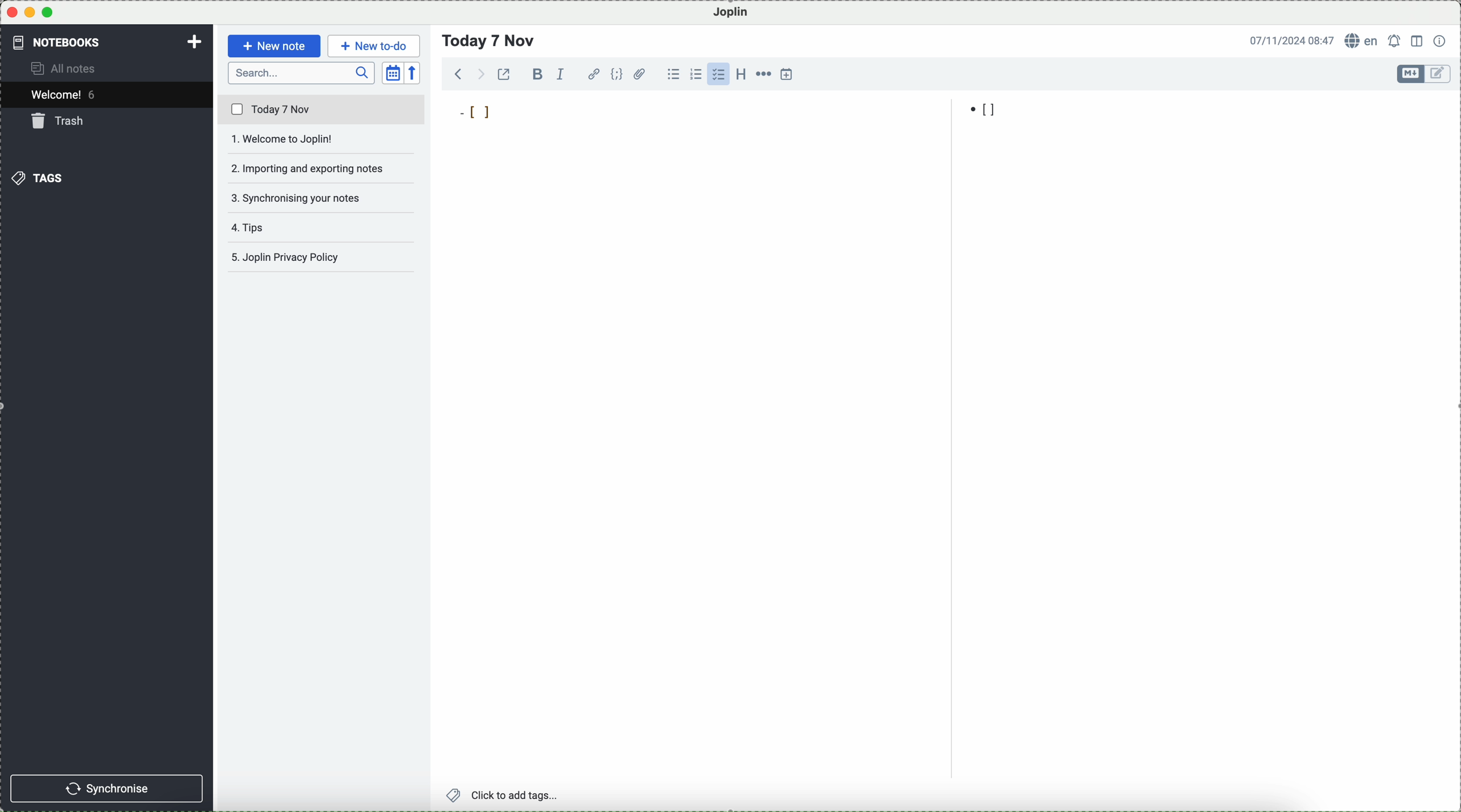 This screenshot has height=812, width=1461. What do you see at coordinates (731, 13) in the screenshot?
I see `Joplin` at bounding box center [731, 13].